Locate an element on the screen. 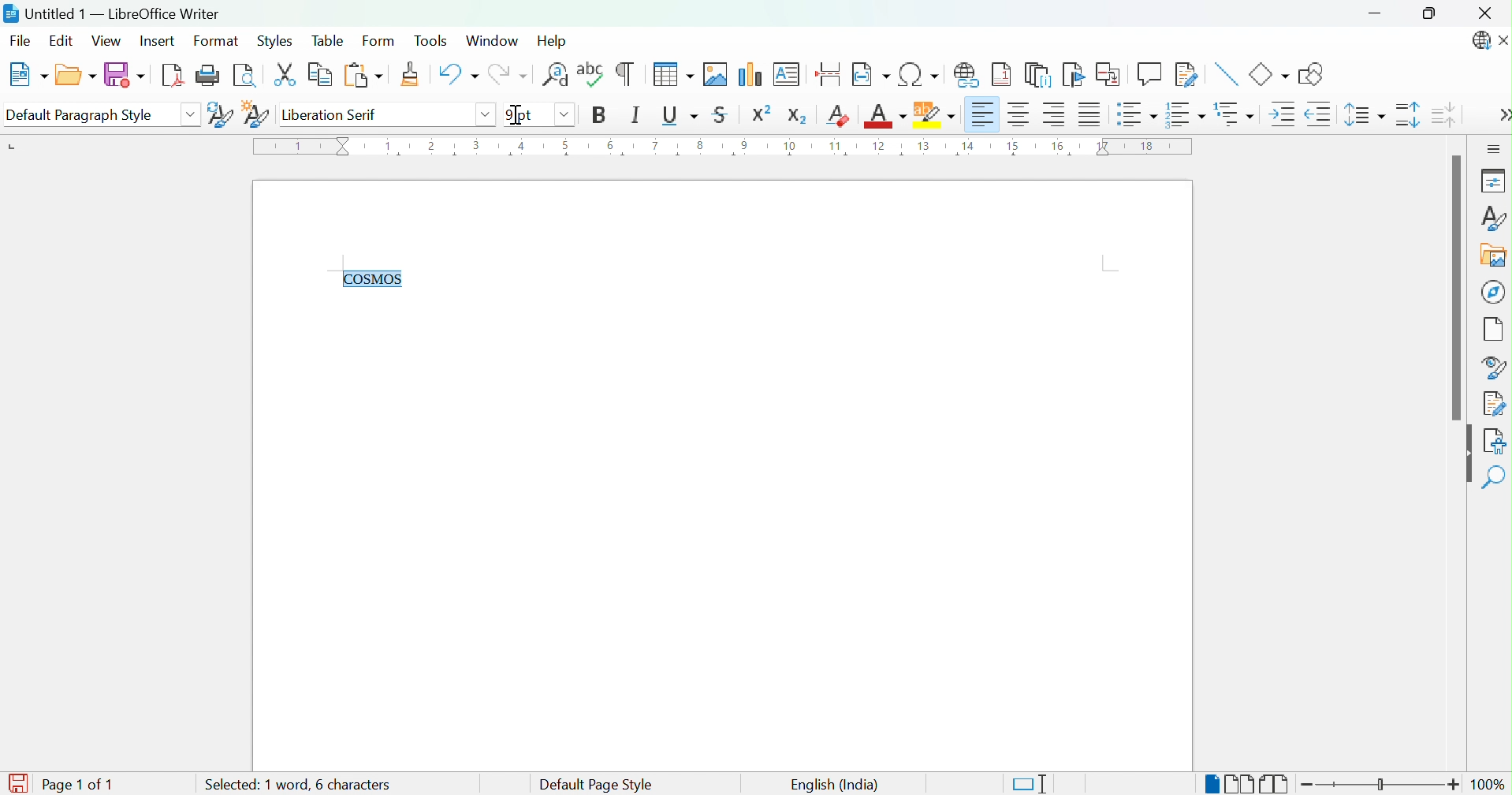  Insert Bookmark is located at coordinates (1074, 75).